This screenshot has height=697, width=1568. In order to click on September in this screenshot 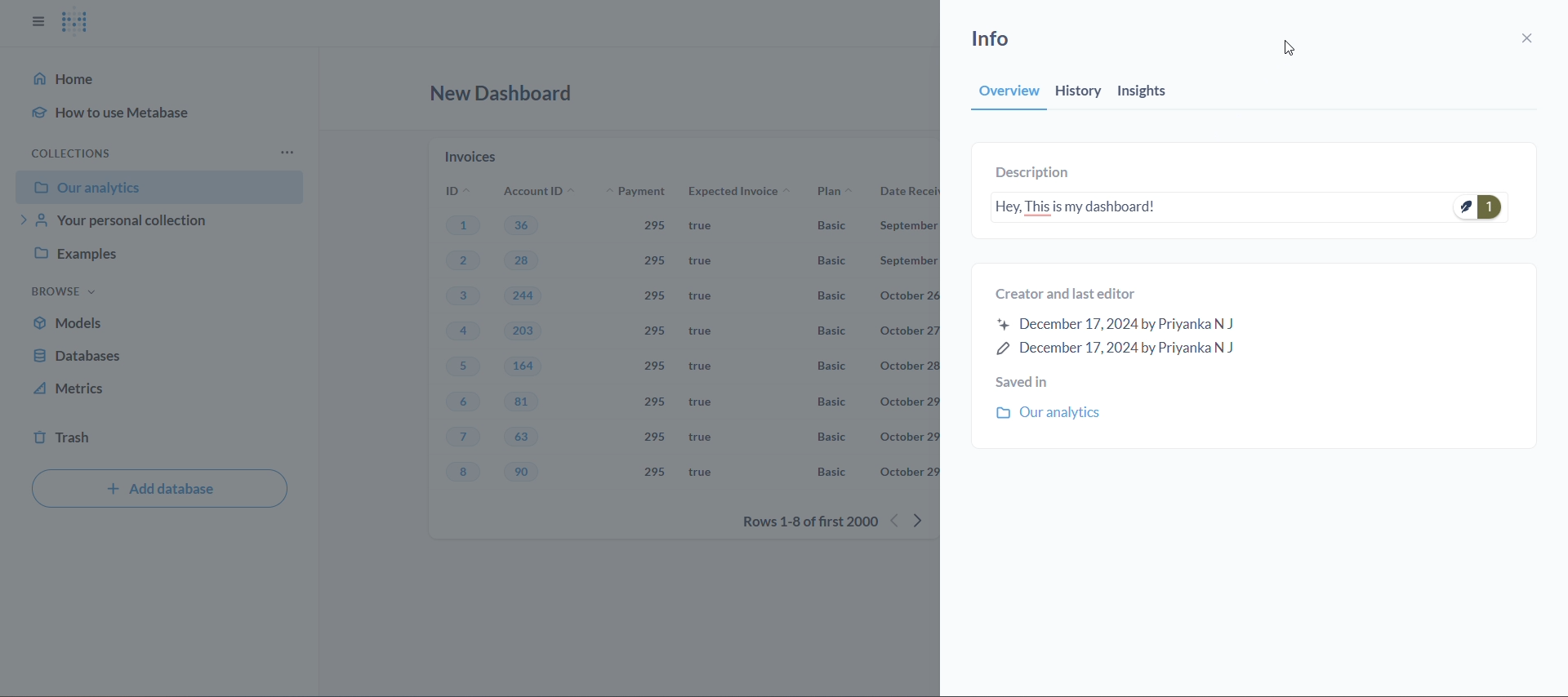, I will do `click(910, 260)`.